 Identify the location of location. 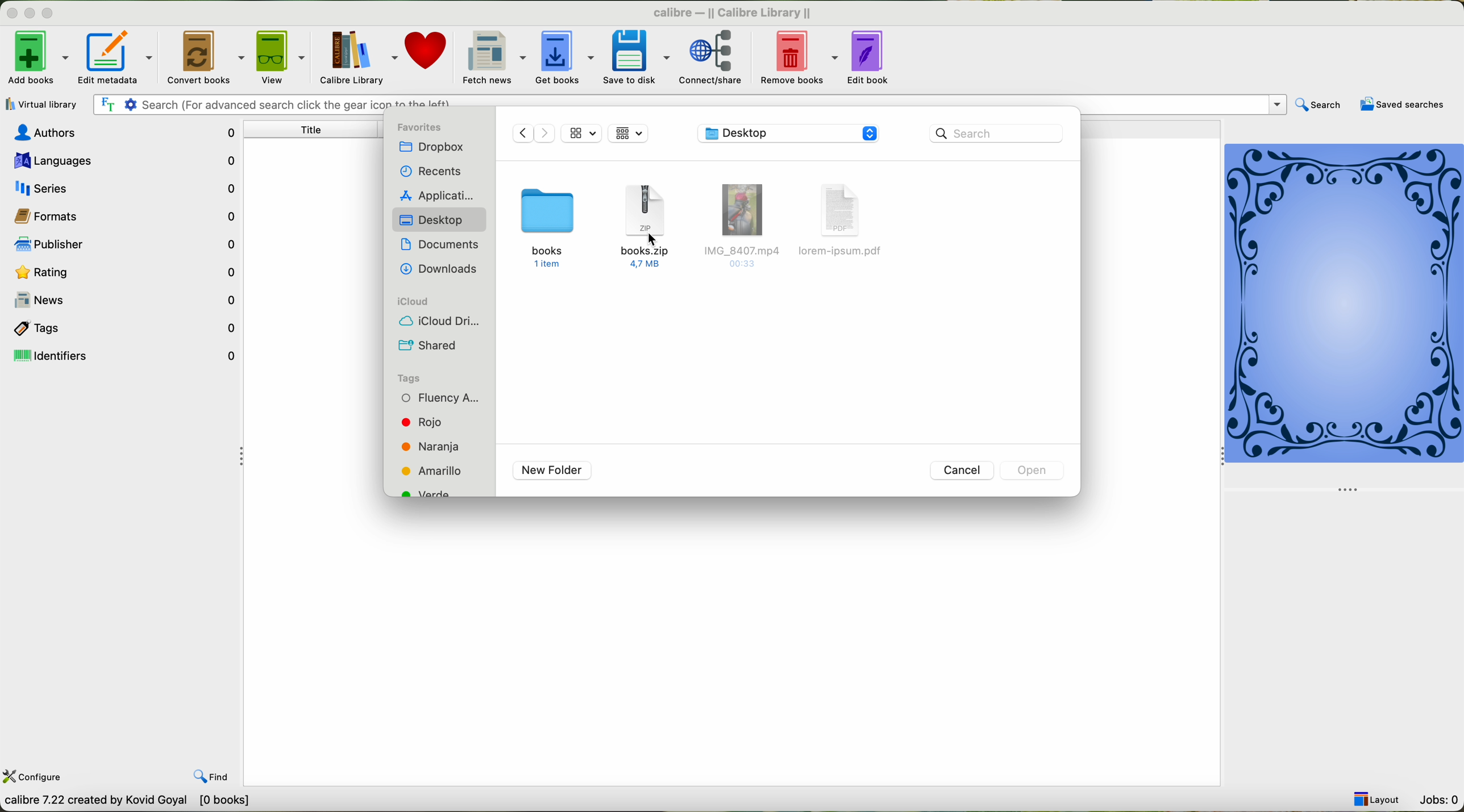
(791, 133).